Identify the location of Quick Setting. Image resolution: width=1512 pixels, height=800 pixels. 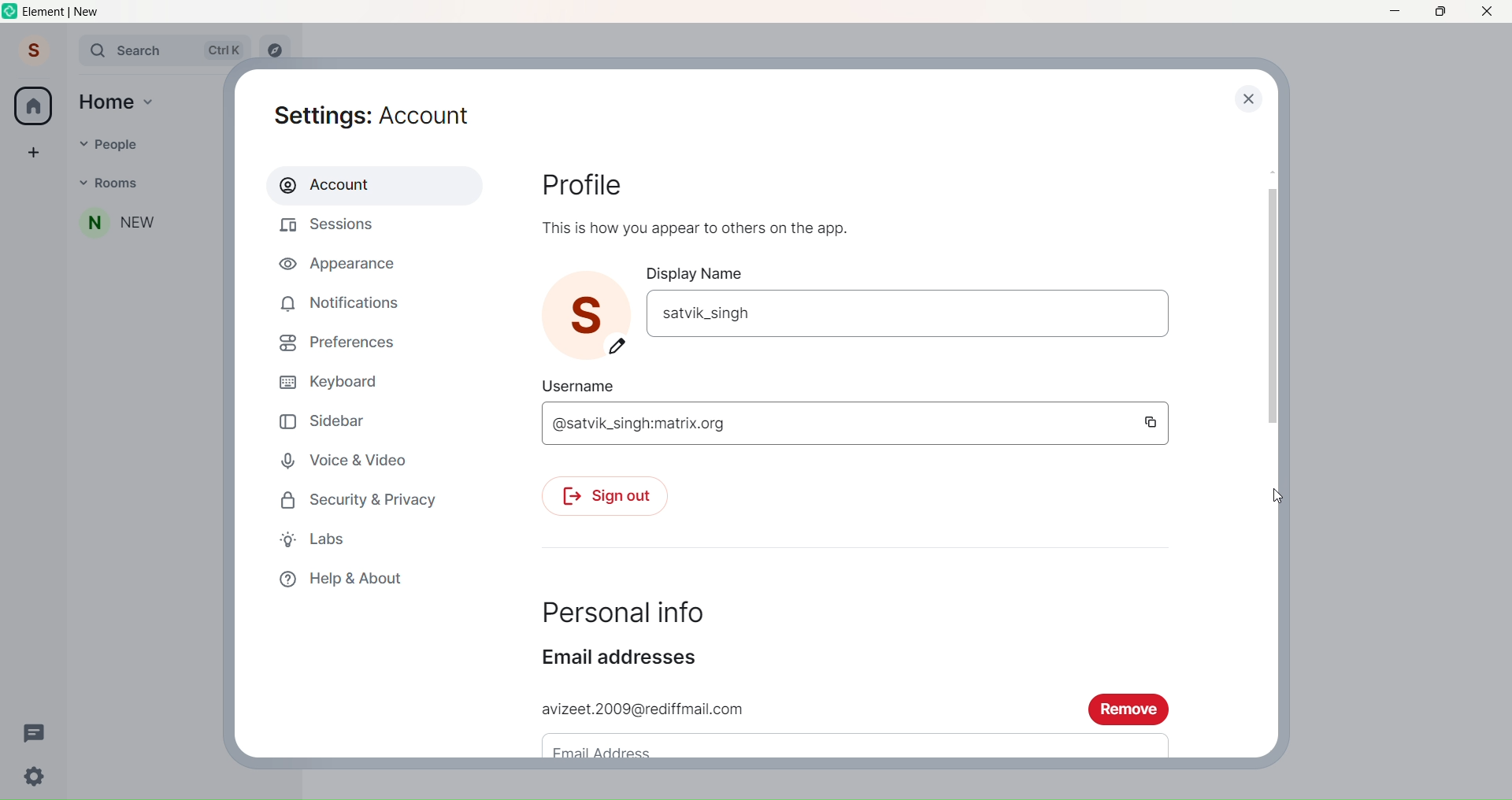
(36, 778).